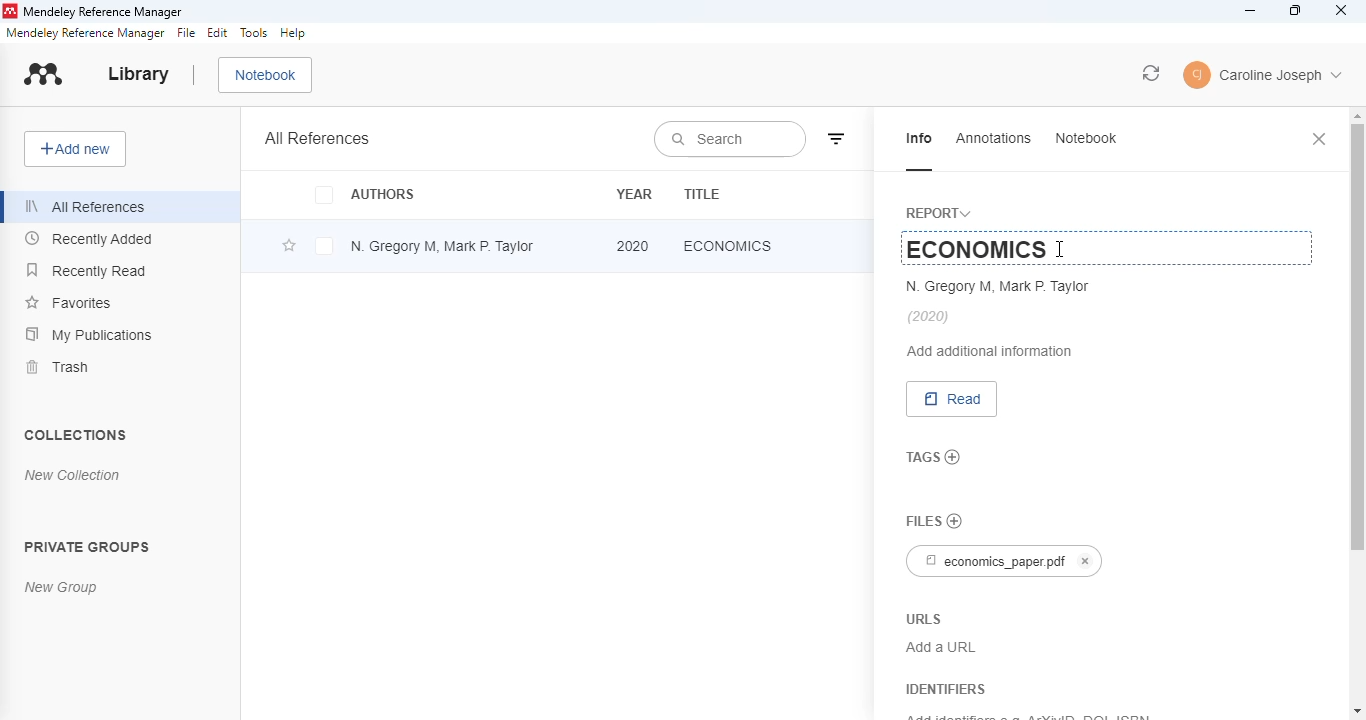 Image resolution: width=1366 pixels, height=720 pixels. What do you see at coordinates (254, 32) in the screenshot?
I see `tools` at bounding box center [254, 32].